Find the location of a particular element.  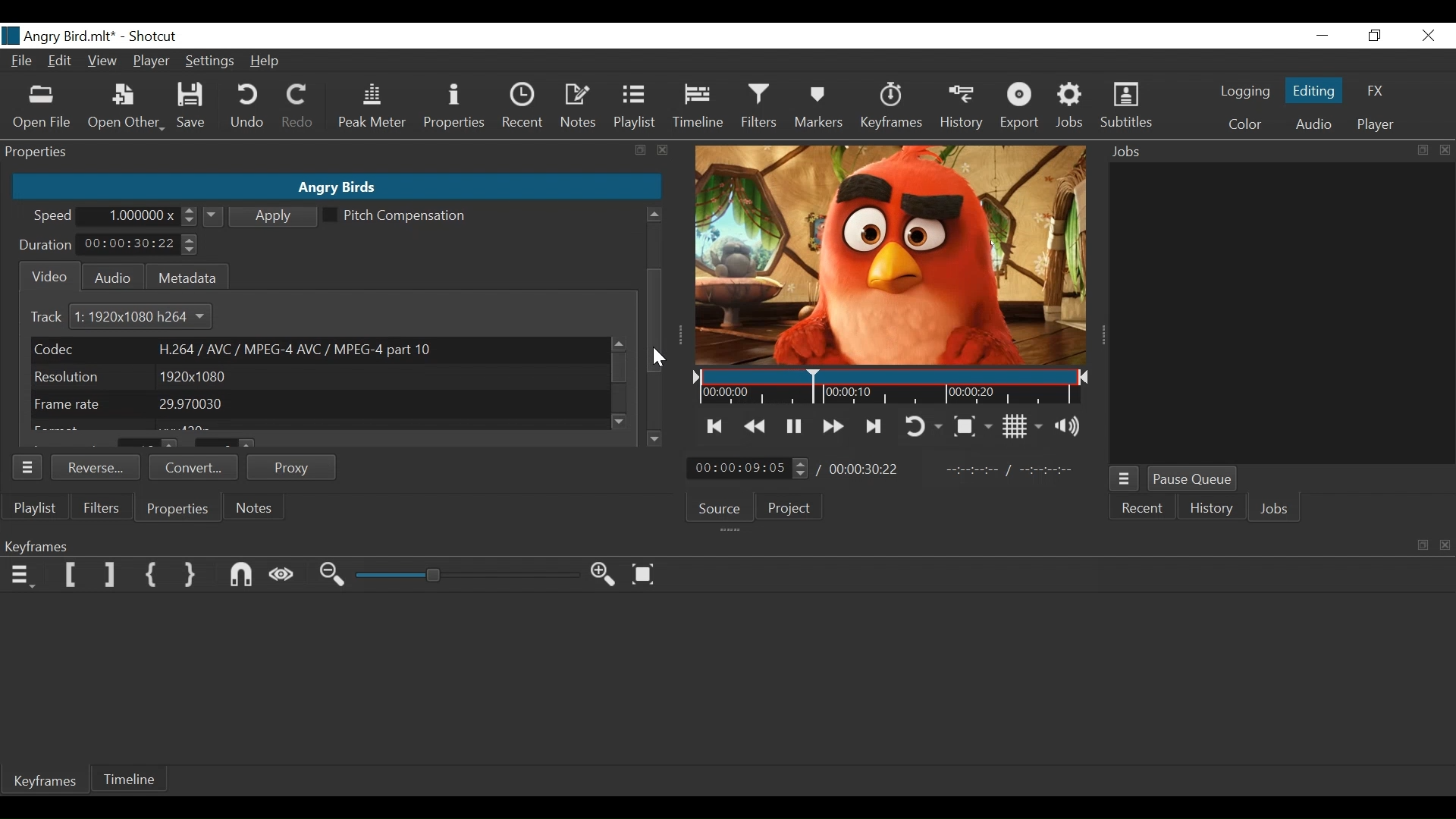

Peak Meter is located at coordinates (371, 108).